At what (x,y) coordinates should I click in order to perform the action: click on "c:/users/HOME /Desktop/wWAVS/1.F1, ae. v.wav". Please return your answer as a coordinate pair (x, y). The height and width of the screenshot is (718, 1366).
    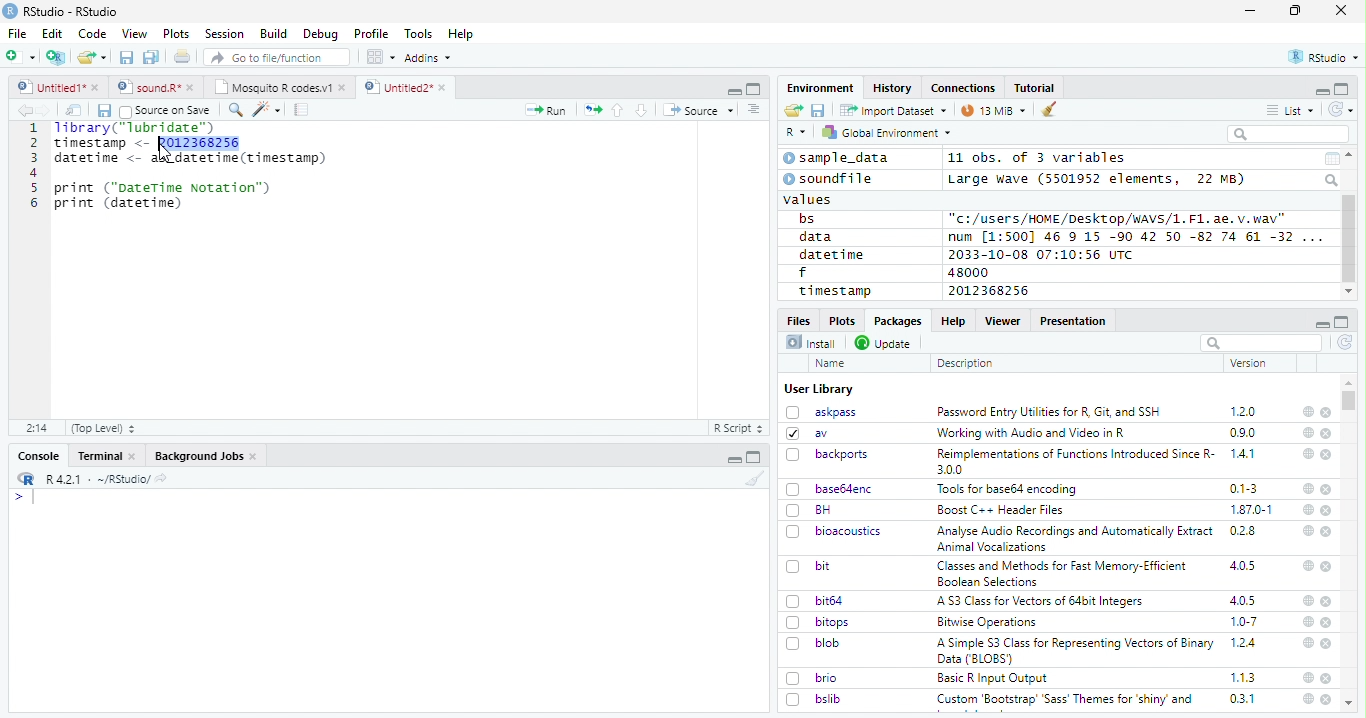
    Looking at the image, I should click on (1119, 217).